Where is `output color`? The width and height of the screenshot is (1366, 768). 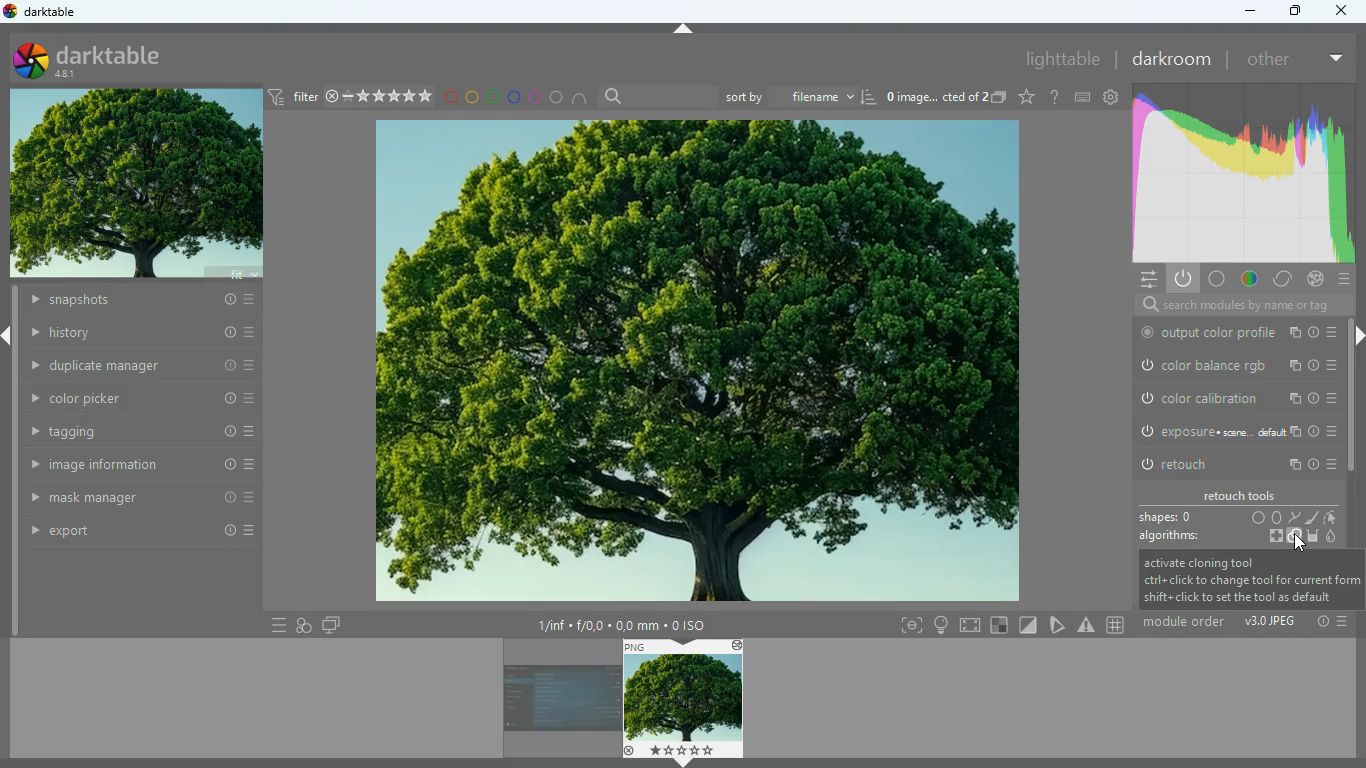 output color is located at coordinates (1233, 334).